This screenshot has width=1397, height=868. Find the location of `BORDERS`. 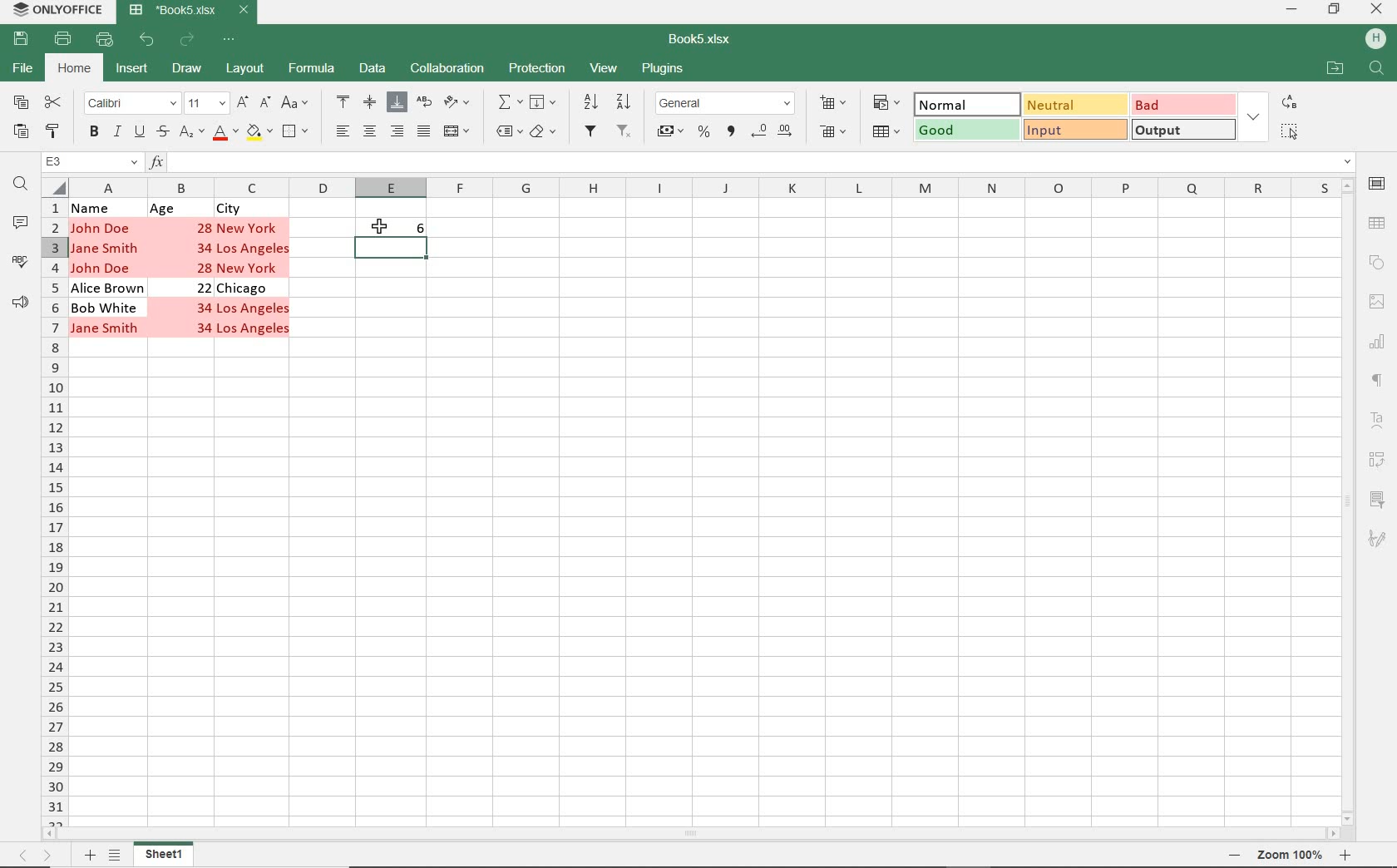

BORDERS is located at coordinates (297, 133).